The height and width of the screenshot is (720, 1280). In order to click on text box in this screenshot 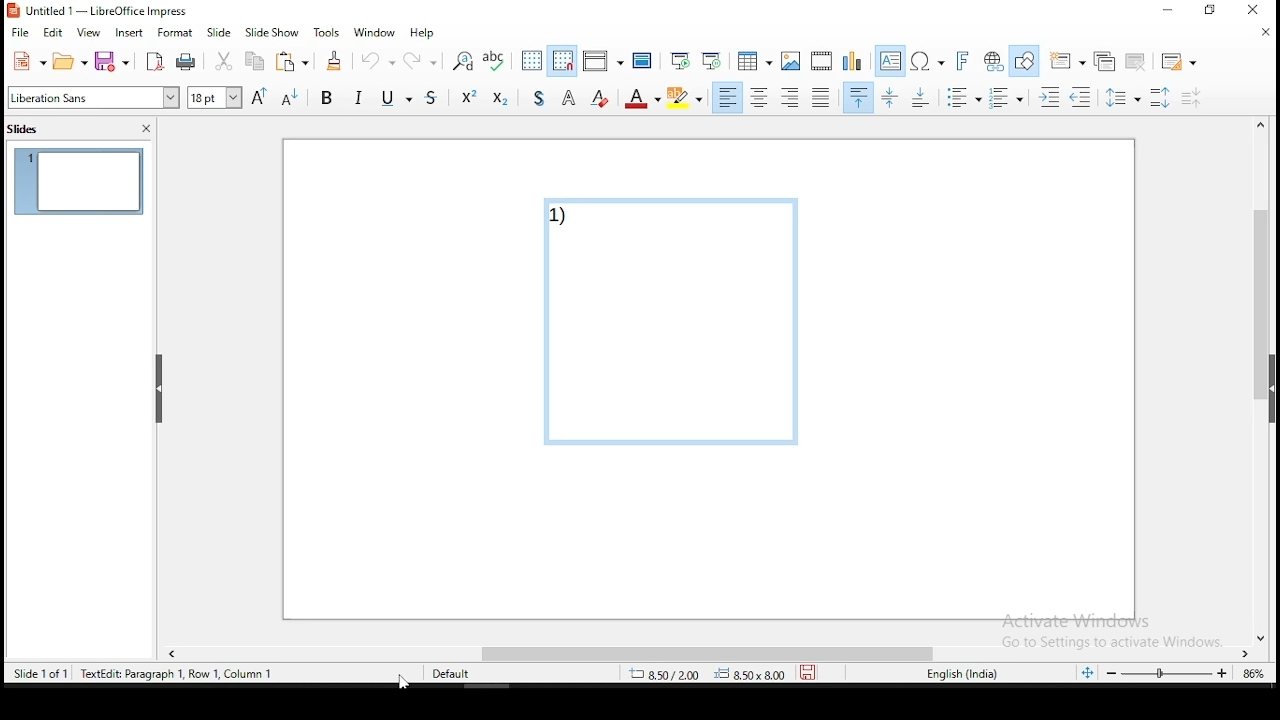, I will do `click(888, 61)`.